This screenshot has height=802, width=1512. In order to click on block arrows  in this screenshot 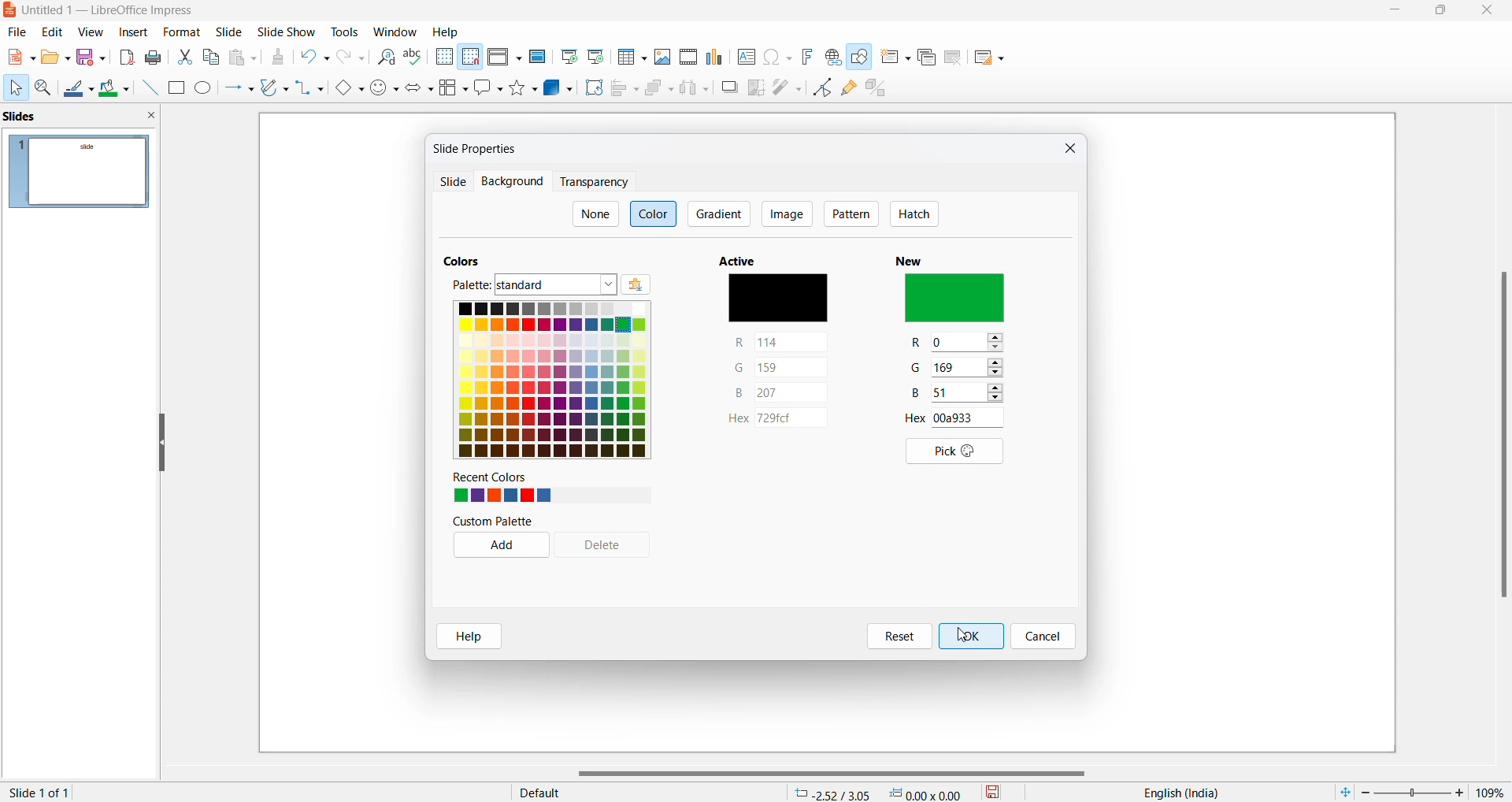, I will do `click(421, 89)`.